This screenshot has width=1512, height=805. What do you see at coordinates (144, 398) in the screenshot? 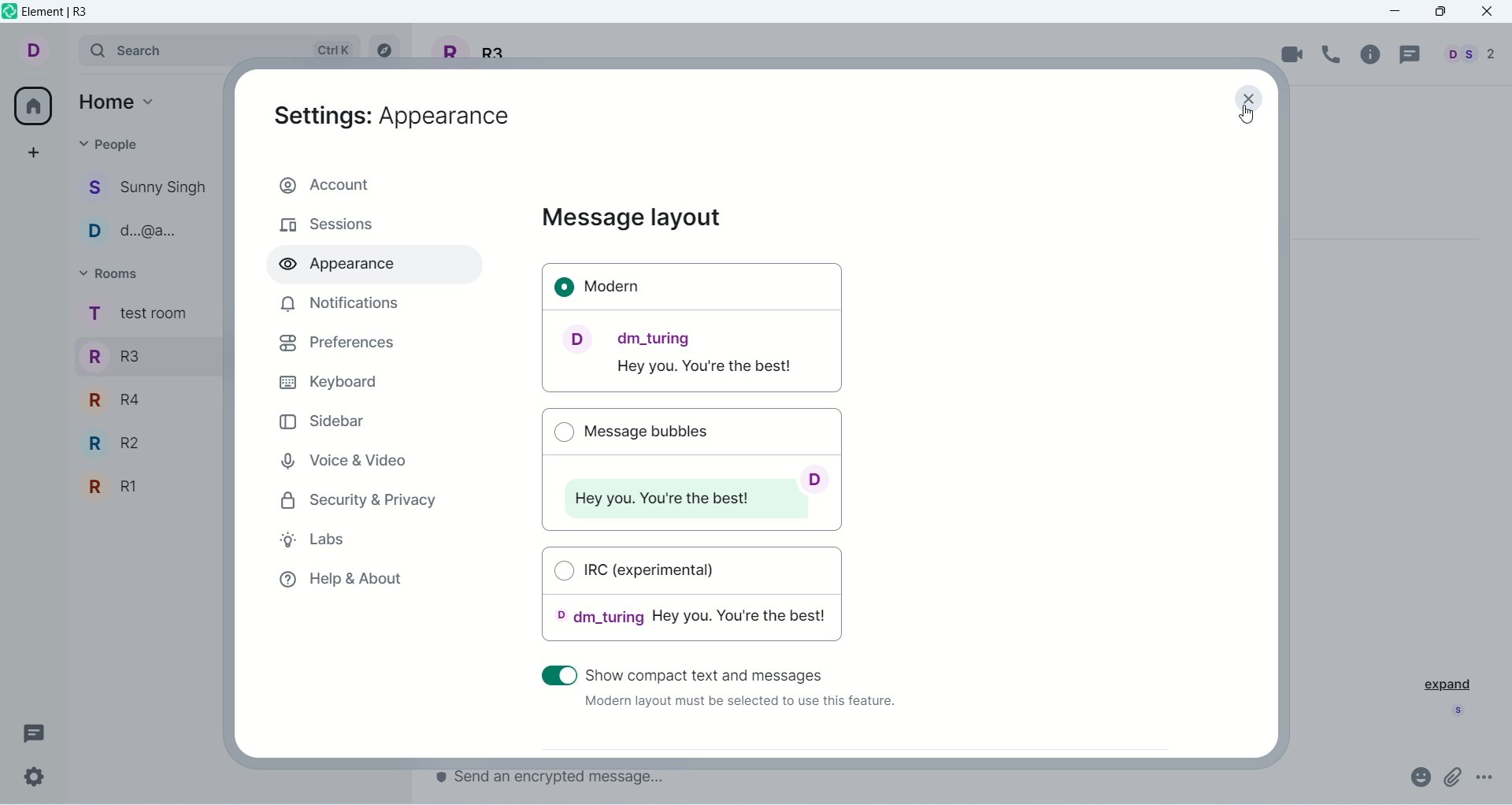
I see `R4` at bounding box center [144, 398].